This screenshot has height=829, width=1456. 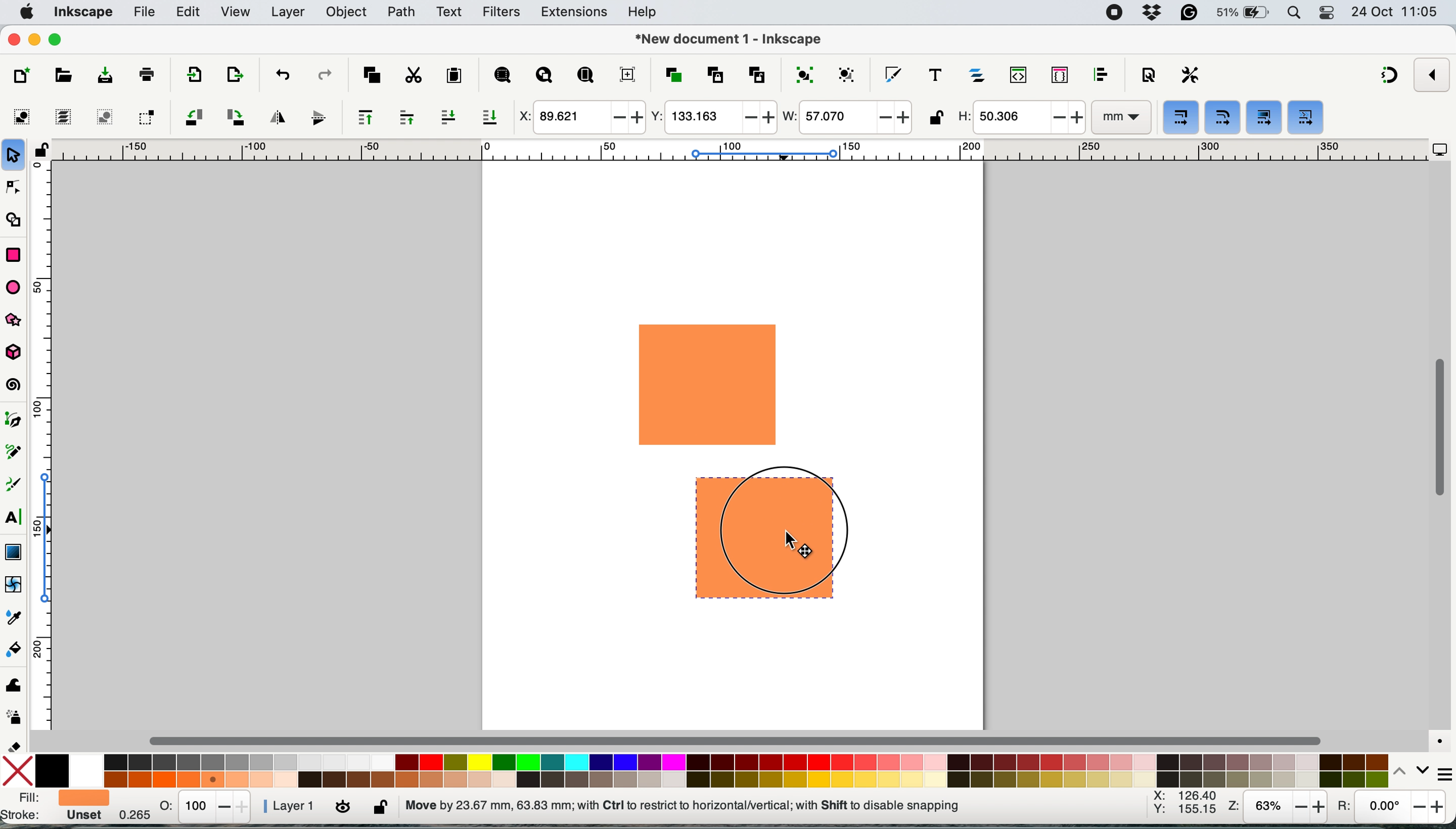 What do you see at coordinates (1019, 117) in the screenshot?
I see `height` at bounding box center [1019, 117].